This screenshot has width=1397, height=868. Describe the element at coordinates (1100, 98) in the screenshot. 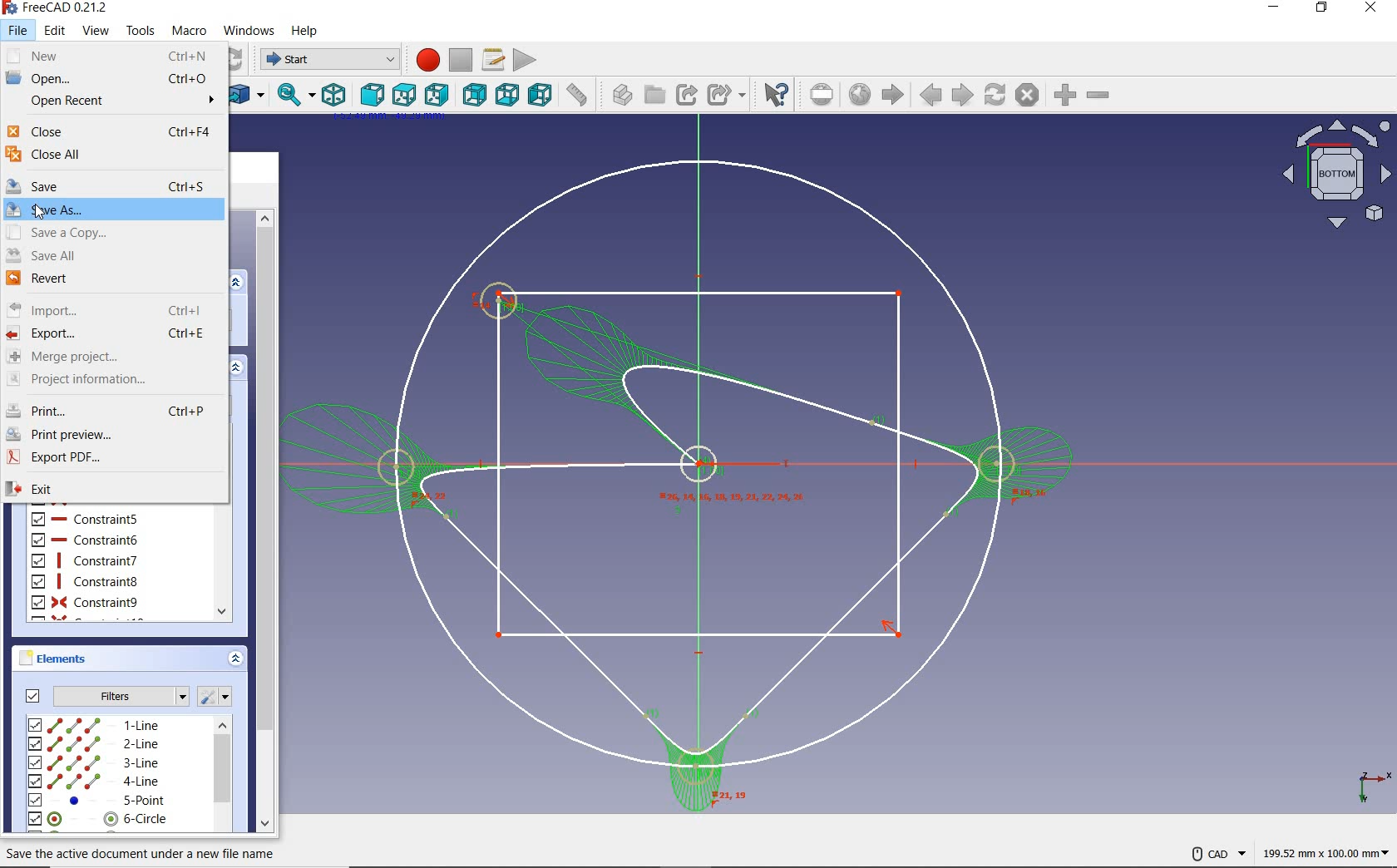

I see `zoomout` at that location.